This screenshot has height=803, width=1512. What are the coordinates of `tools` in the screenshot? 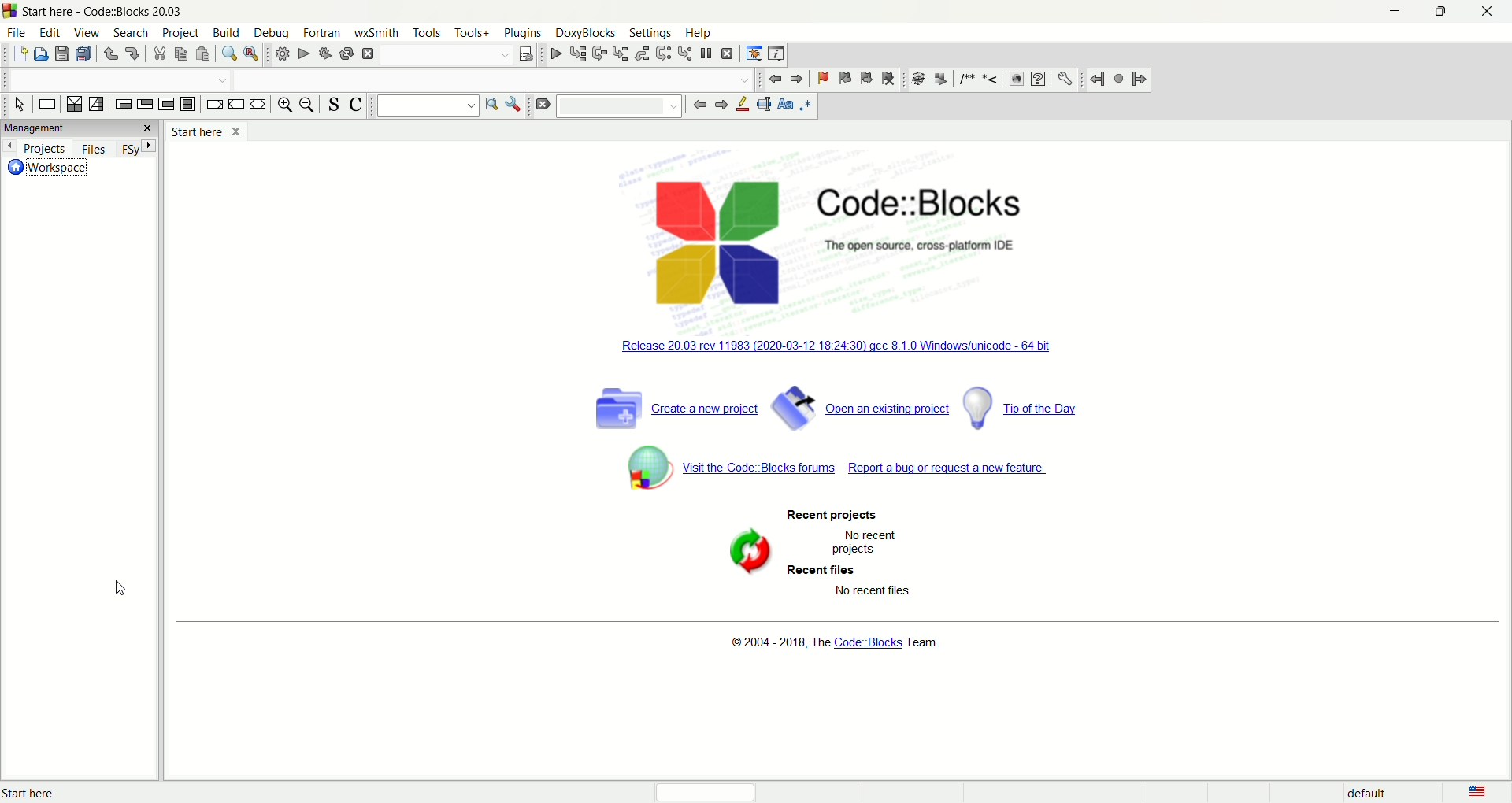 It's located at (426, 33).